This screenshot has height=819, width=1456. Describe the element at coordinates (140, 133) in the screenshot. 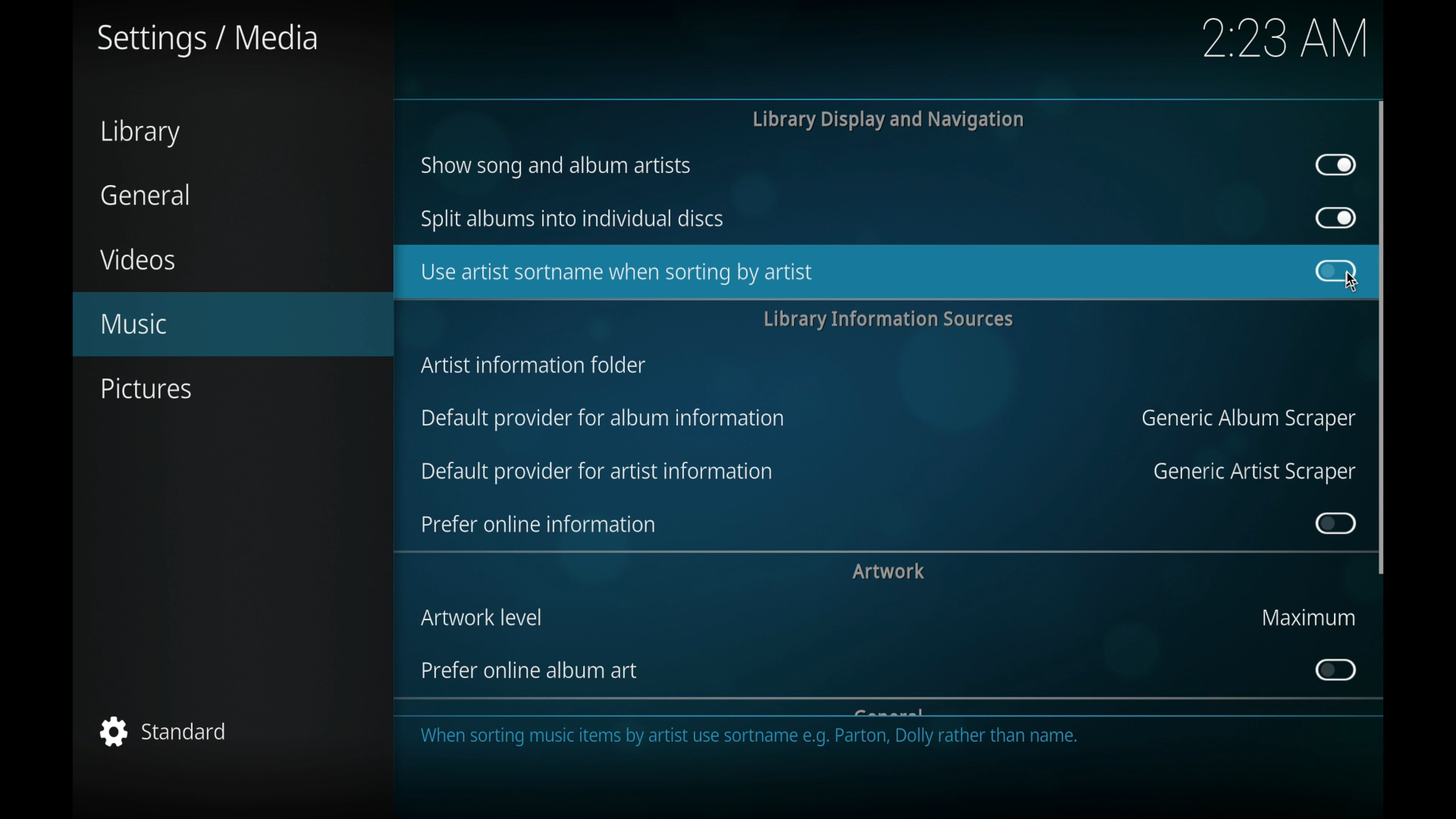

I see `library` at that location.